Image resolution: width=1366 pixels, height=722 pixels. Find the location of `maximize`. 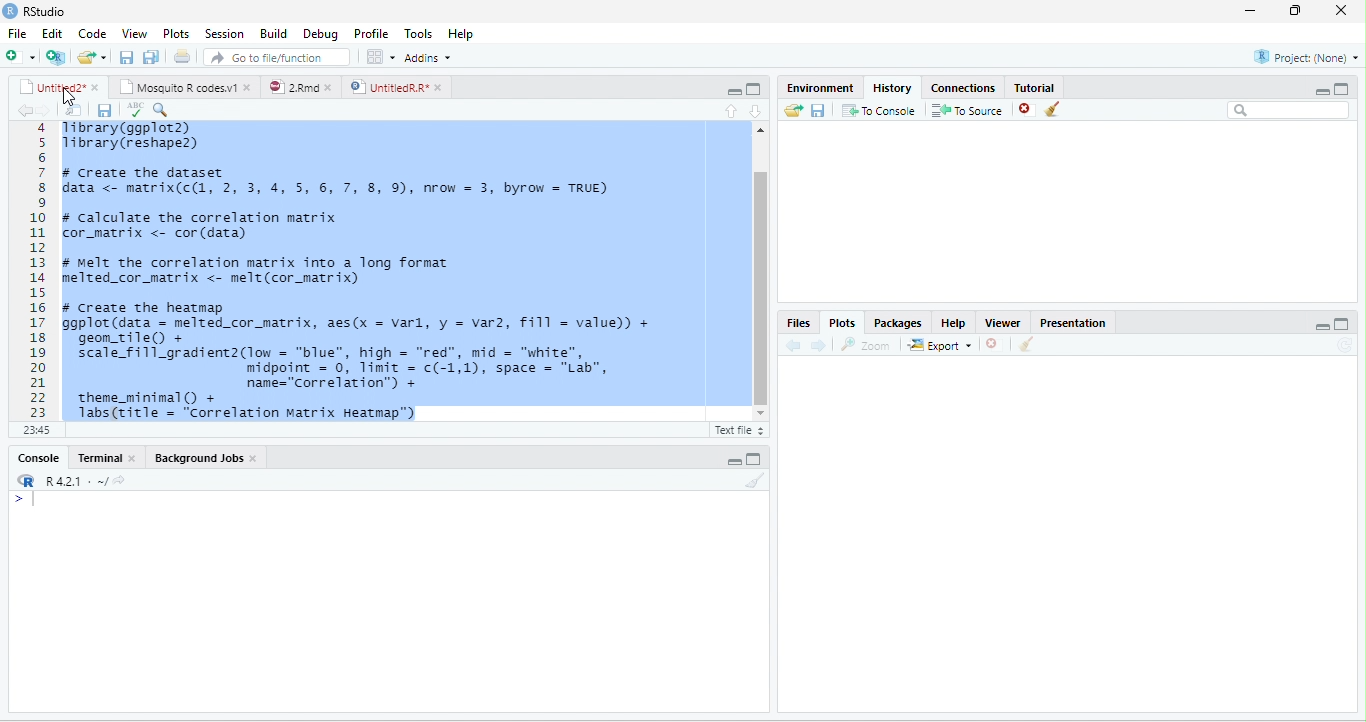

maximize is located at coordinates (1299, 11).